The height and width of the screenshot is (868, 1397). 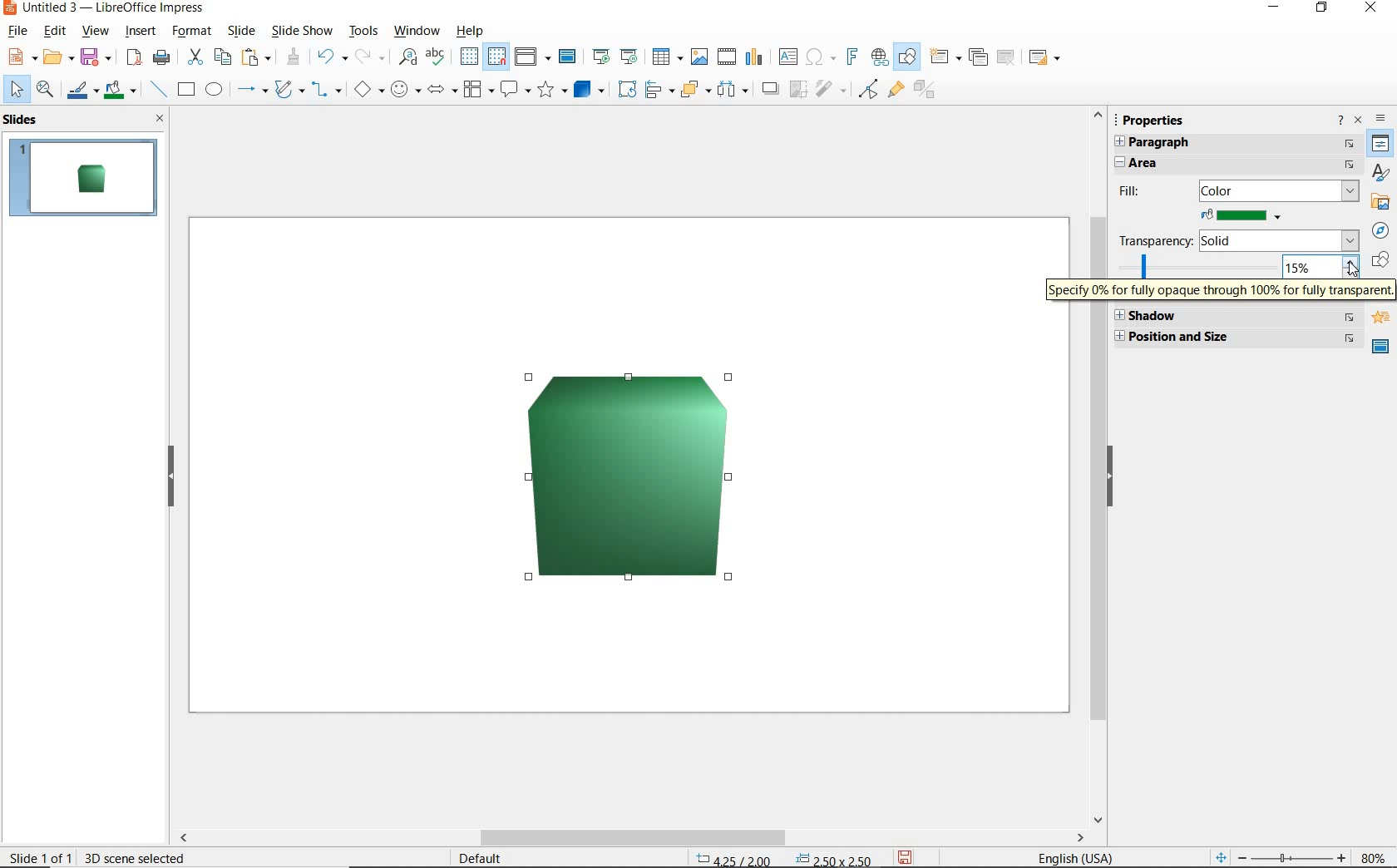 What do you see at coordinates (1317, 266) in the screenshot?
I see `15%` at bounding box center [1317, 266].